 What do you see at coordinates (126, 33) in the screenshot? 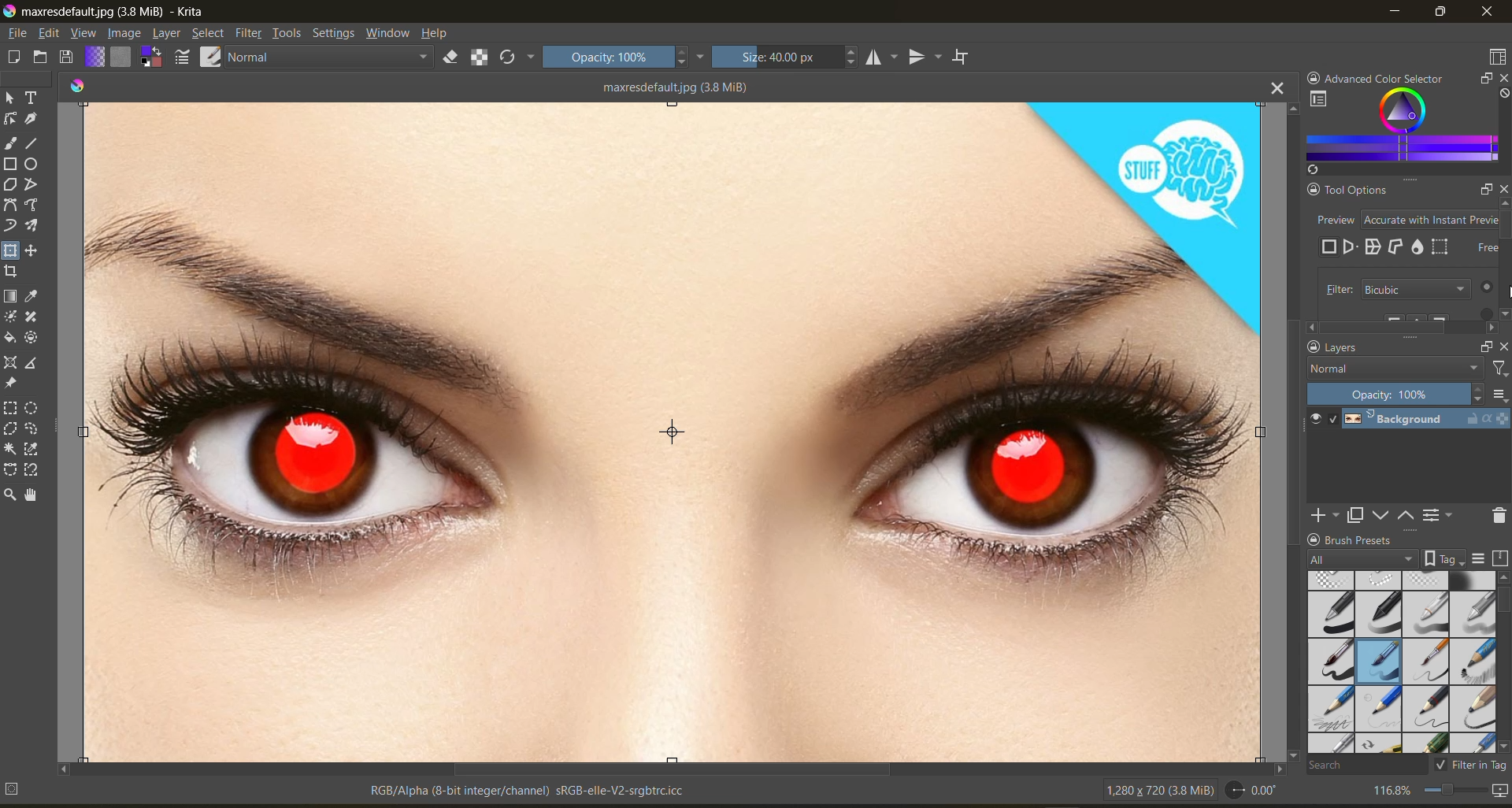
I see `image` at bounding box center [126, 33].